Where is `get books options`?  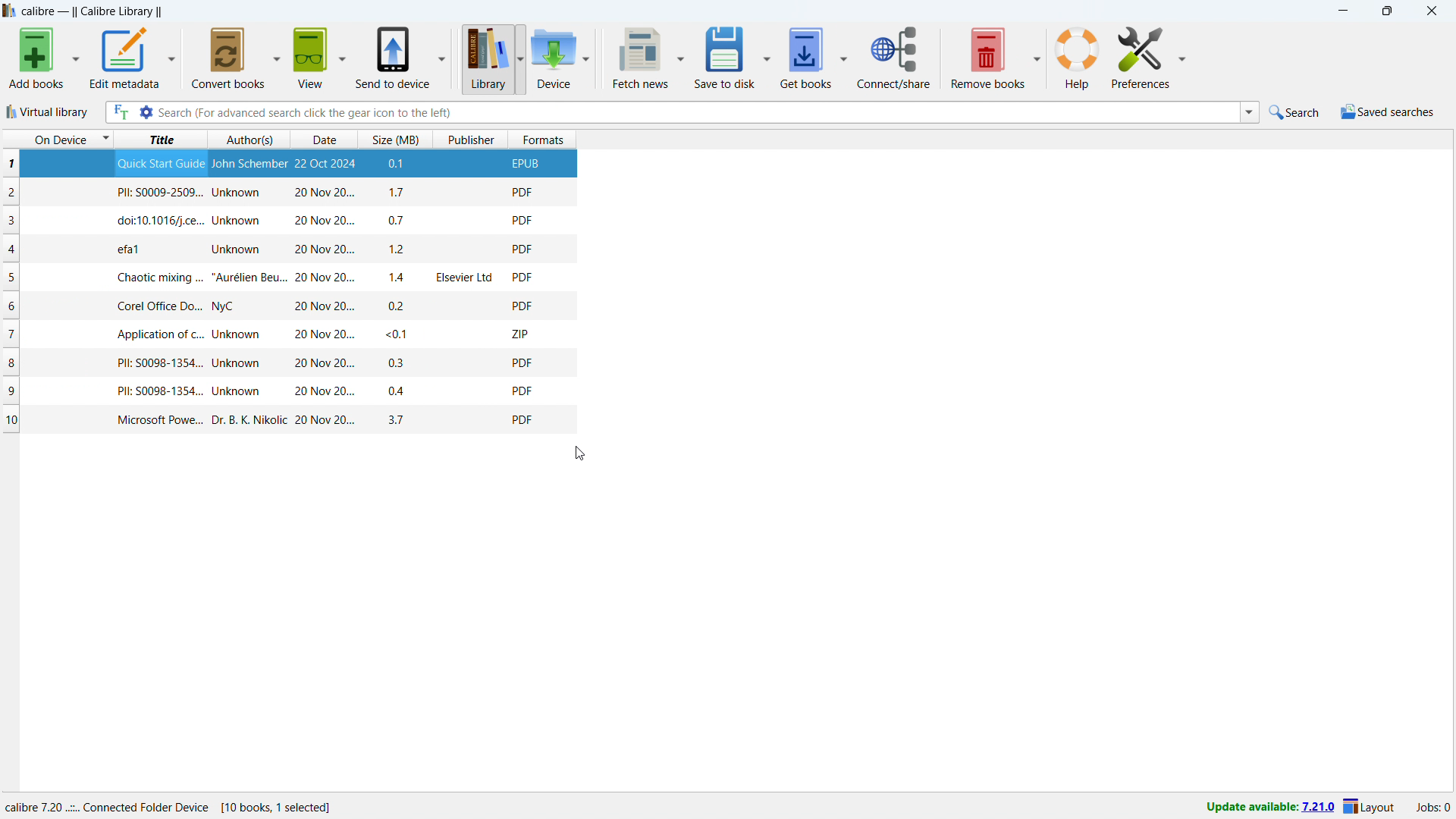 get books options is located at coordinates (843, 58).